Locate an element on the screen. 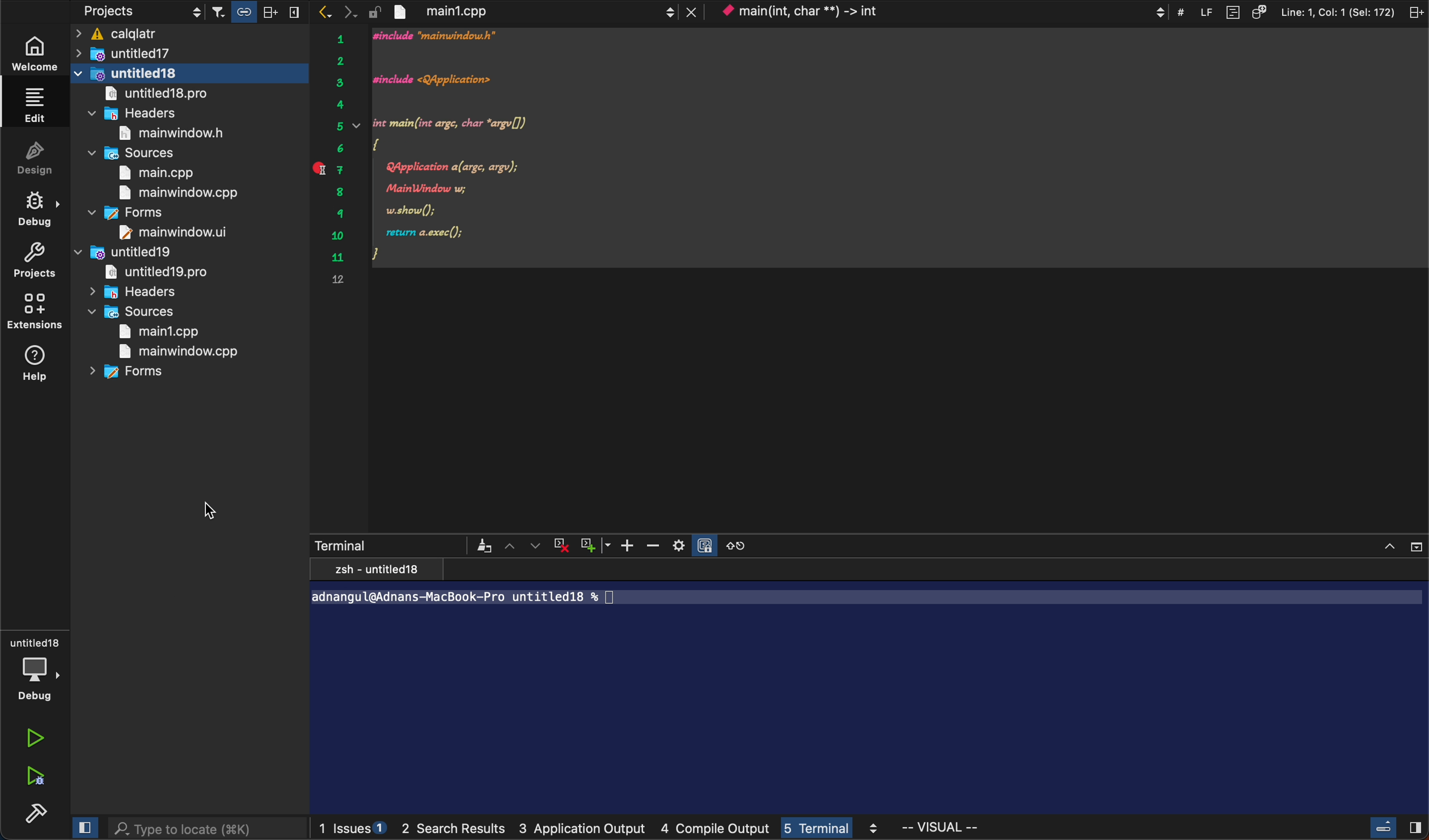  search is located at coordinates (204, 827).